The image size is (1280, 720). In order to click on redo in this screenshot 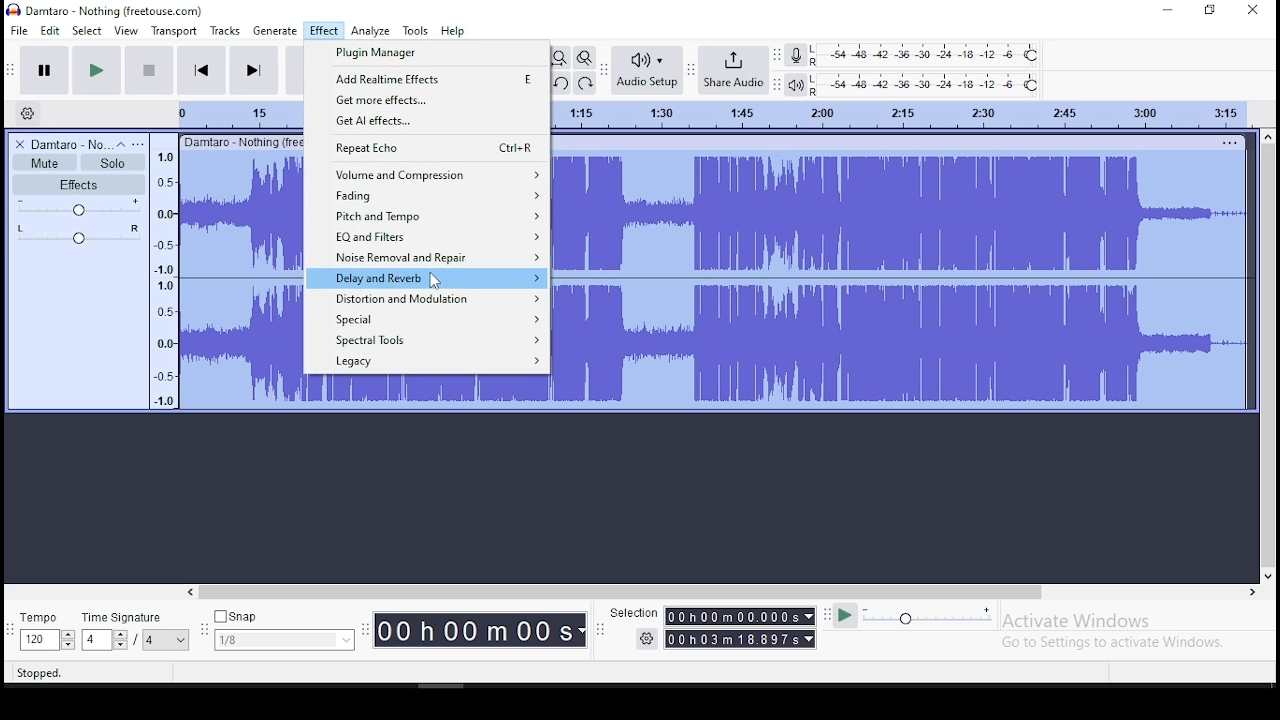, I will do `click(584, 83)`.